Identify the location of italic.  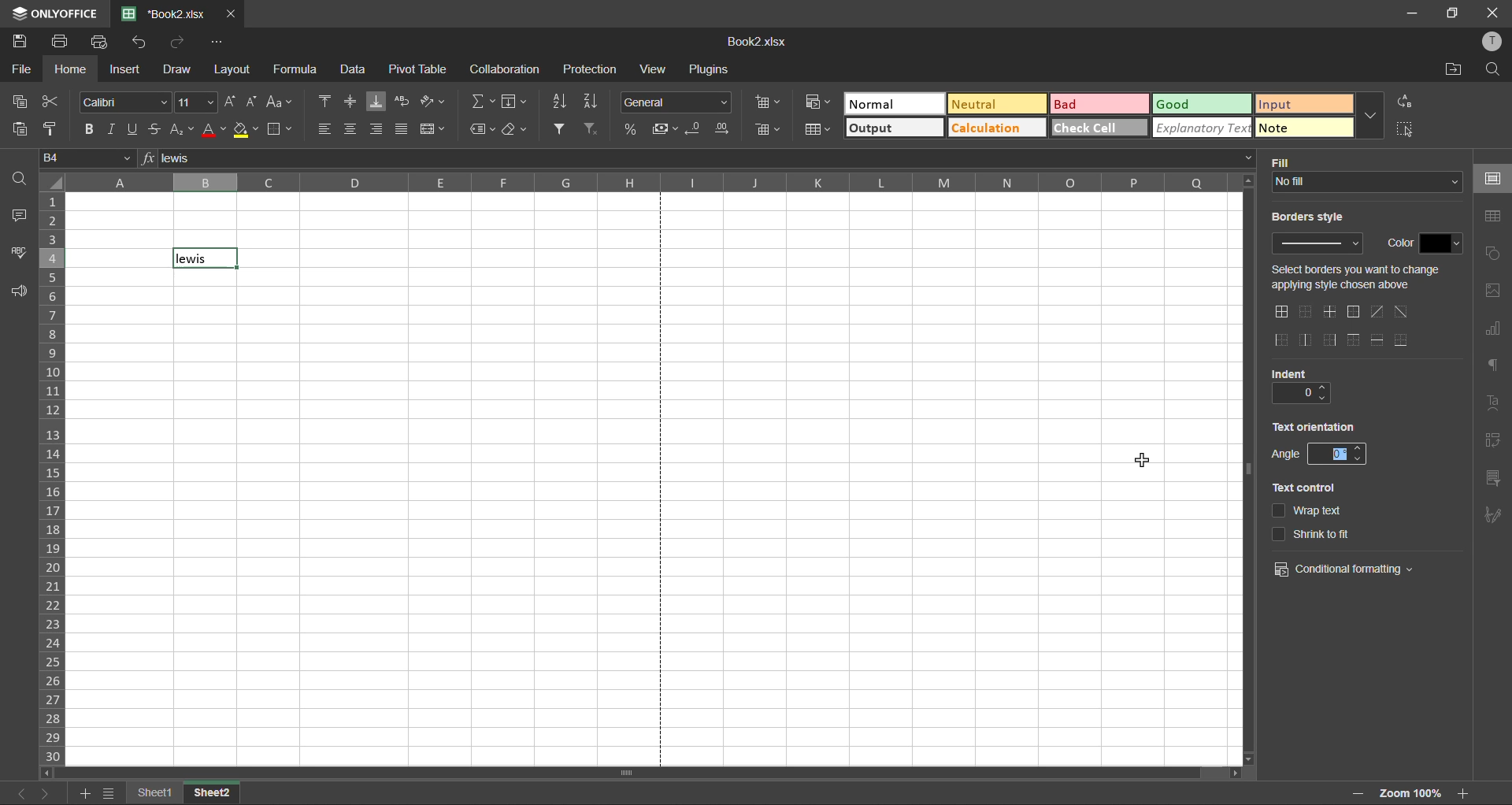
(109, 130).